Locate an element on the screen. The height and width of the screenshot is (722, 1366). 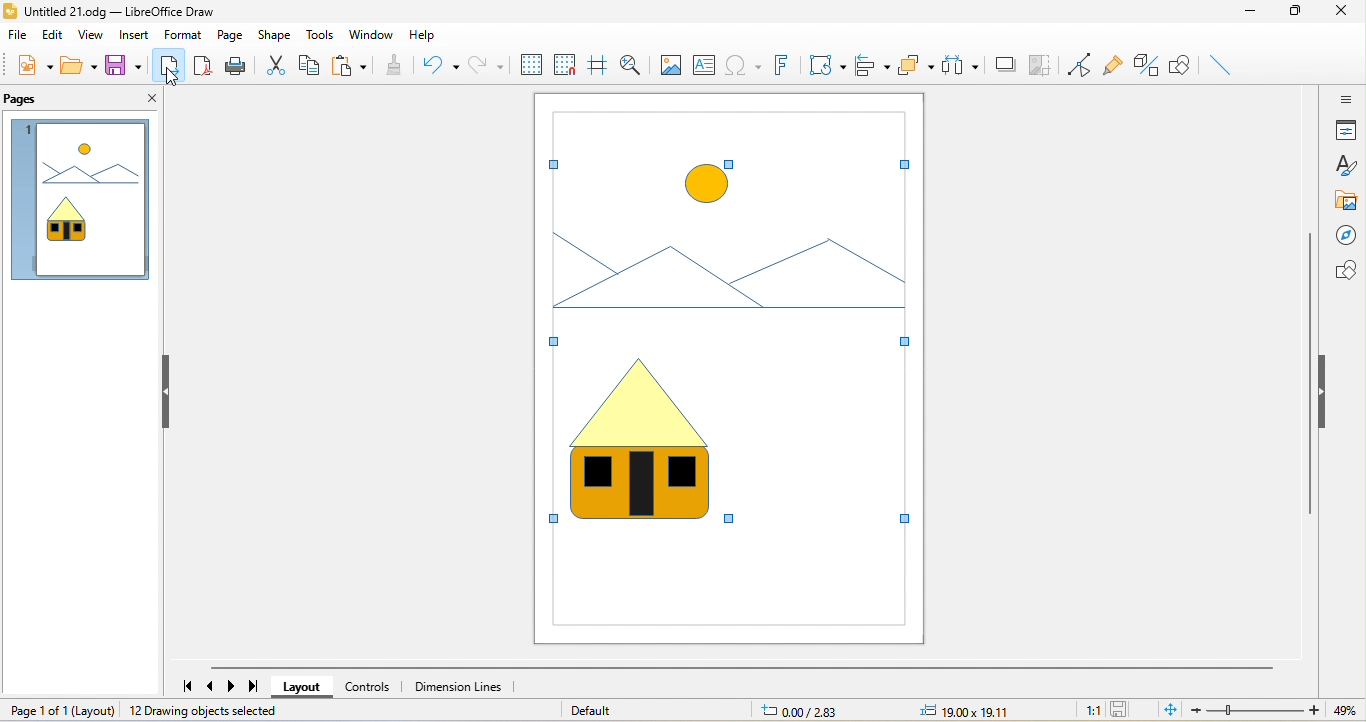
export as pdf is located at coordinates (202, 64).